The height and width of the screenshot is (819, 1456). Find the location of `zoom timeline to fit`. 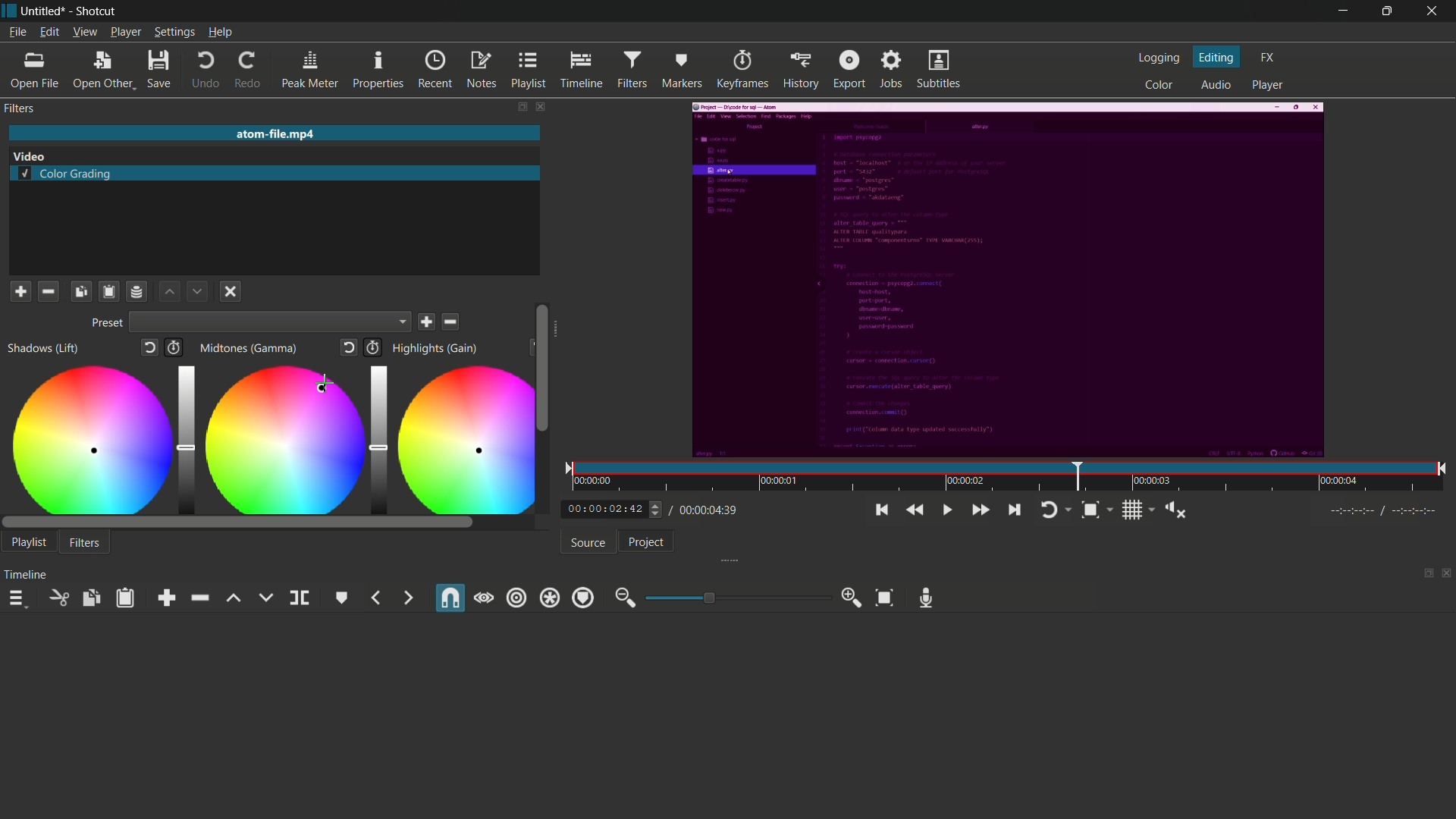

zoom timeline to fit is located at coordinates (1095, 509).